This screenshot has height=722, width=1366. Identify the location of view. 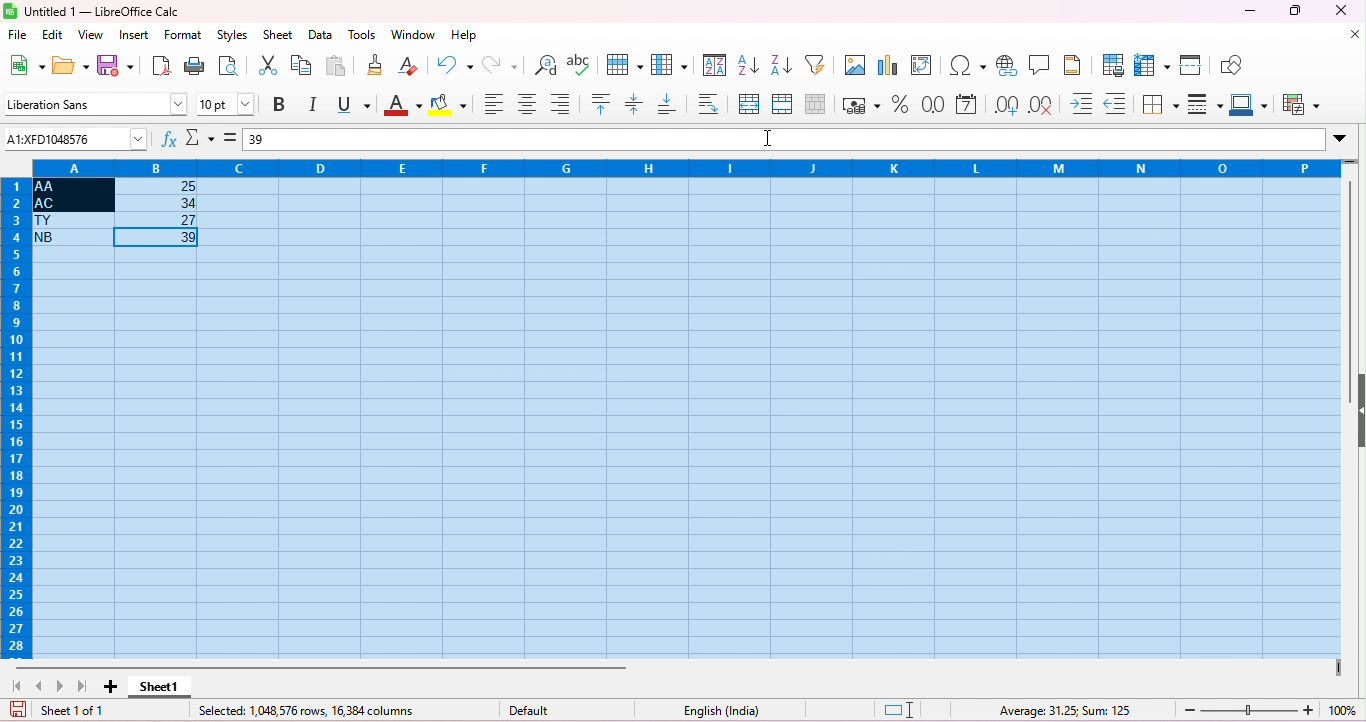
(90, 36).